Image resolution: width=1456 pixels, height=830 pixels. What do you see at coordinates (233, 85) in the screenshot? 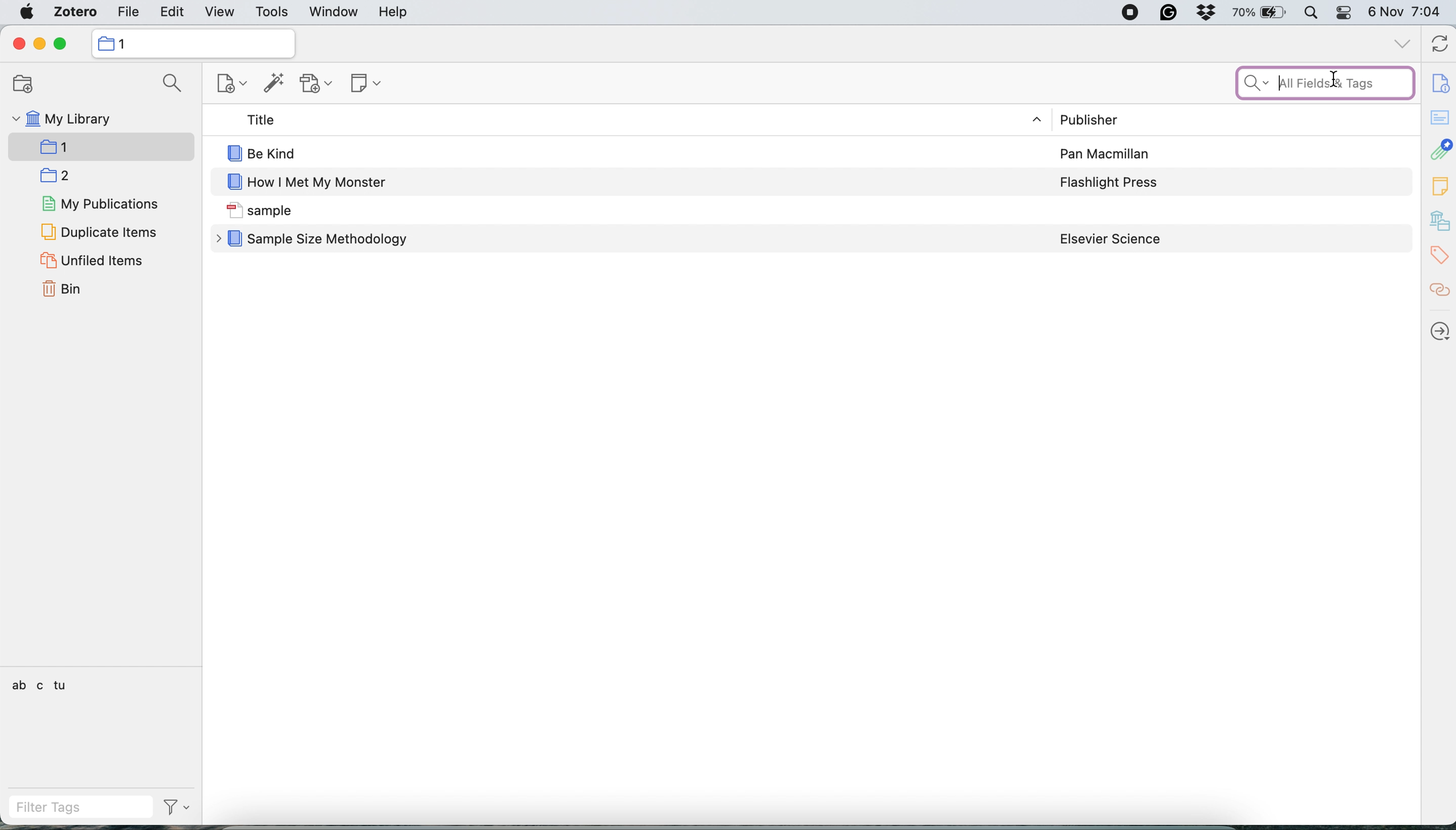
I see `new item` at bounding box center [233, 85].